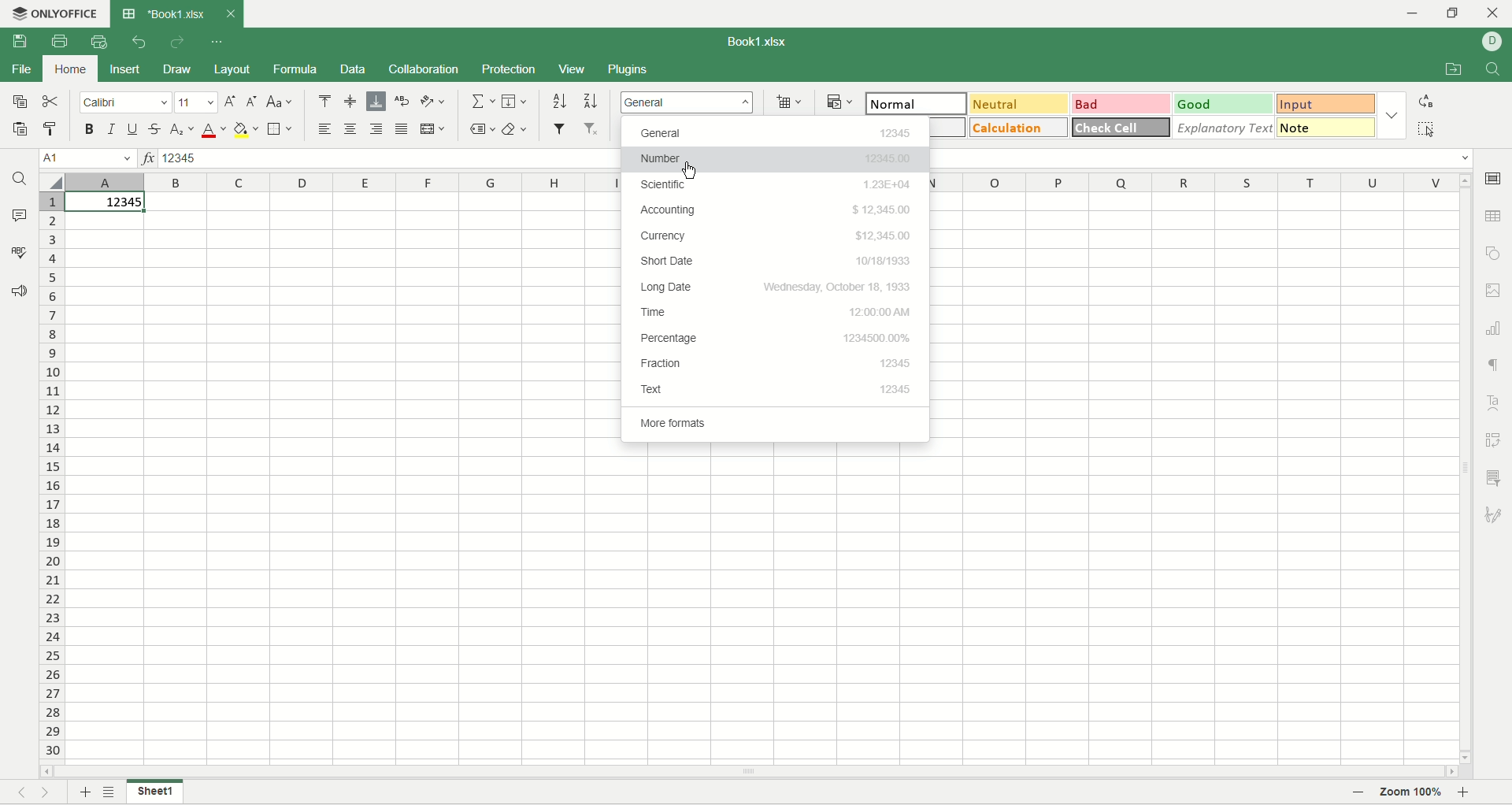 The image size is (1512, 805). Describe the element at coordinates (109, 792) in the screenshot. I see `list of sheets` at that location.